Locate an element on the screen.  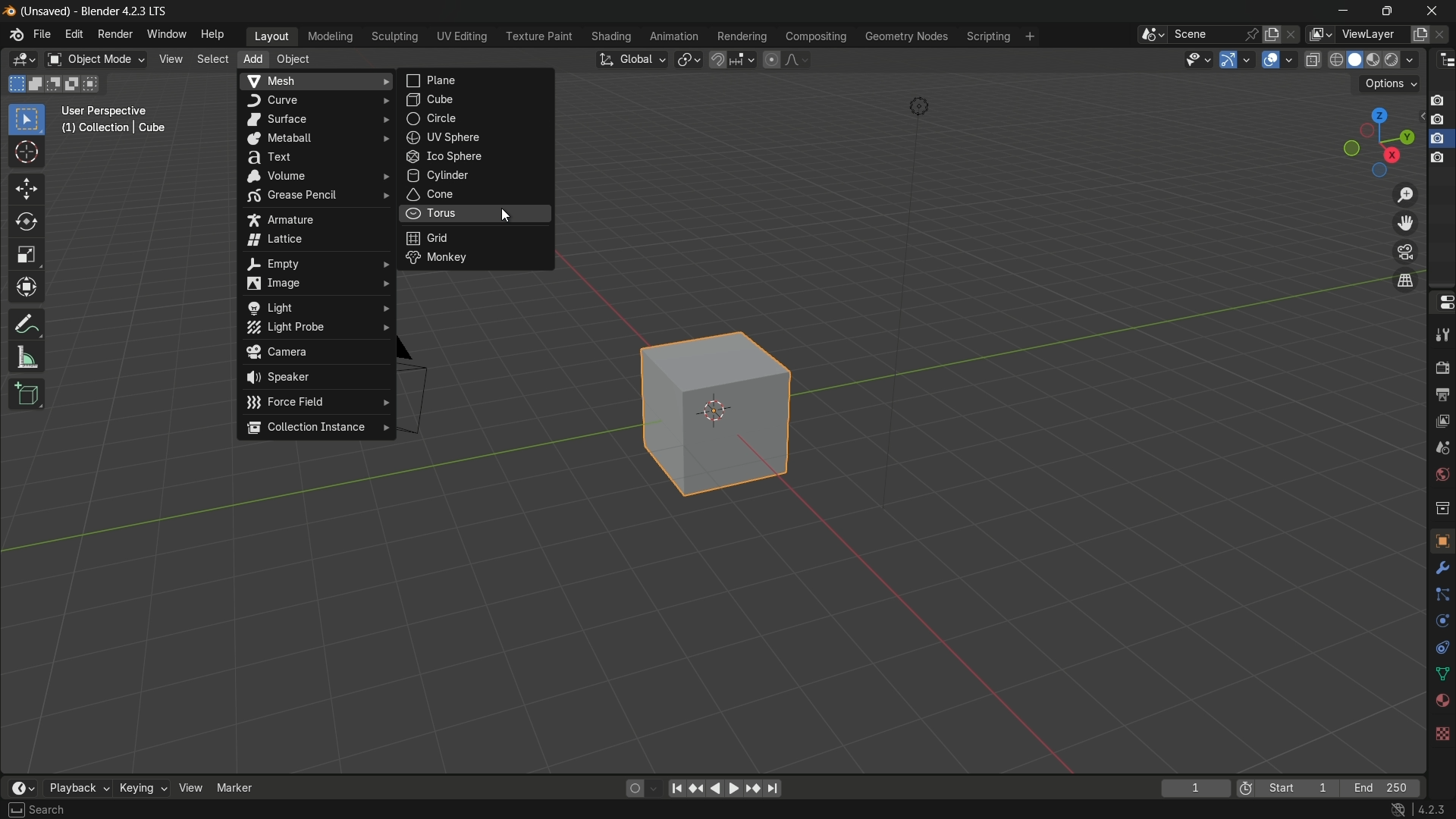
light is located at coordinates (918, 107).